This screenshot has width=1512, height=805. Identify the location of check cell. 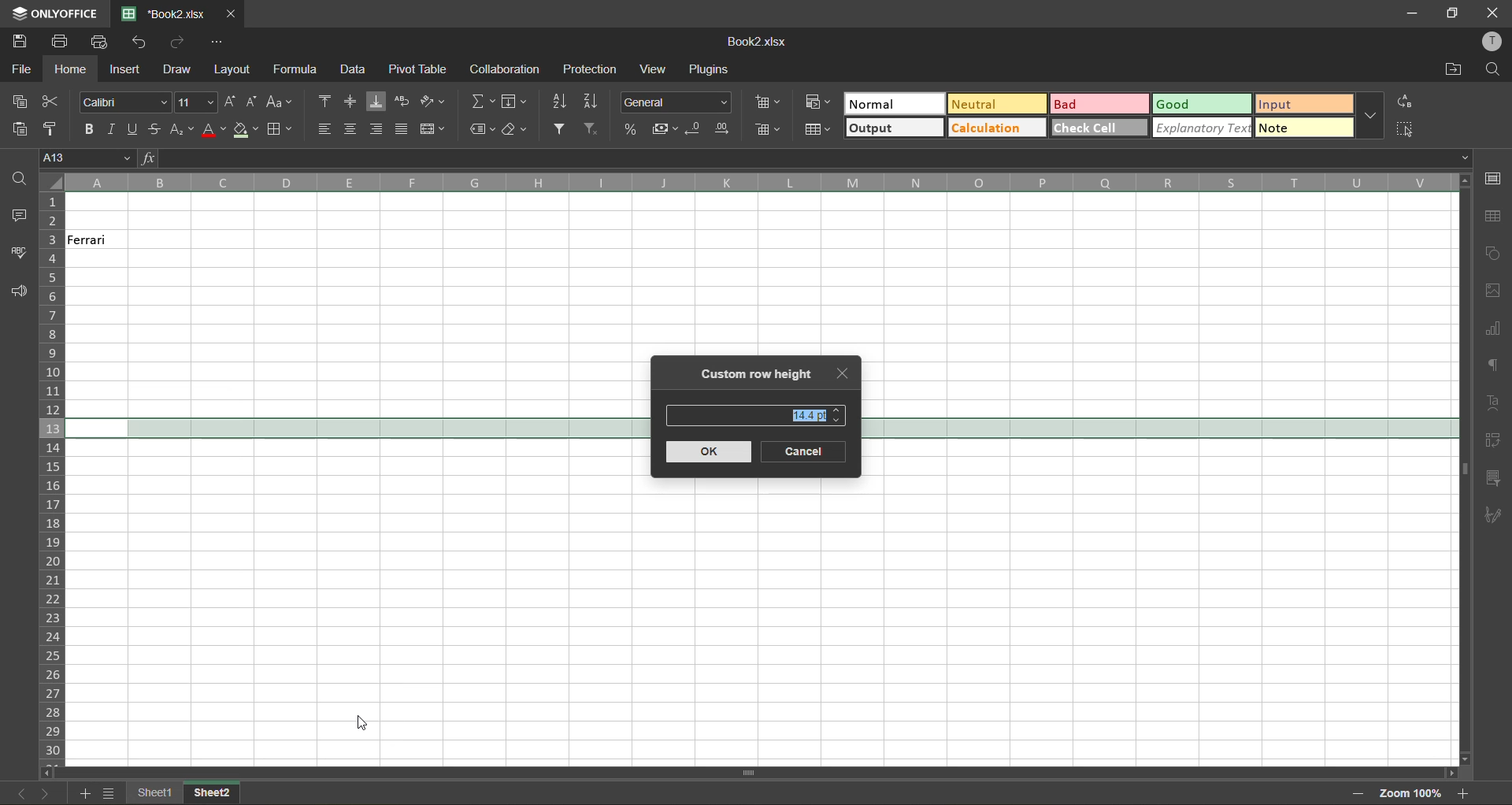
(1098, 129).